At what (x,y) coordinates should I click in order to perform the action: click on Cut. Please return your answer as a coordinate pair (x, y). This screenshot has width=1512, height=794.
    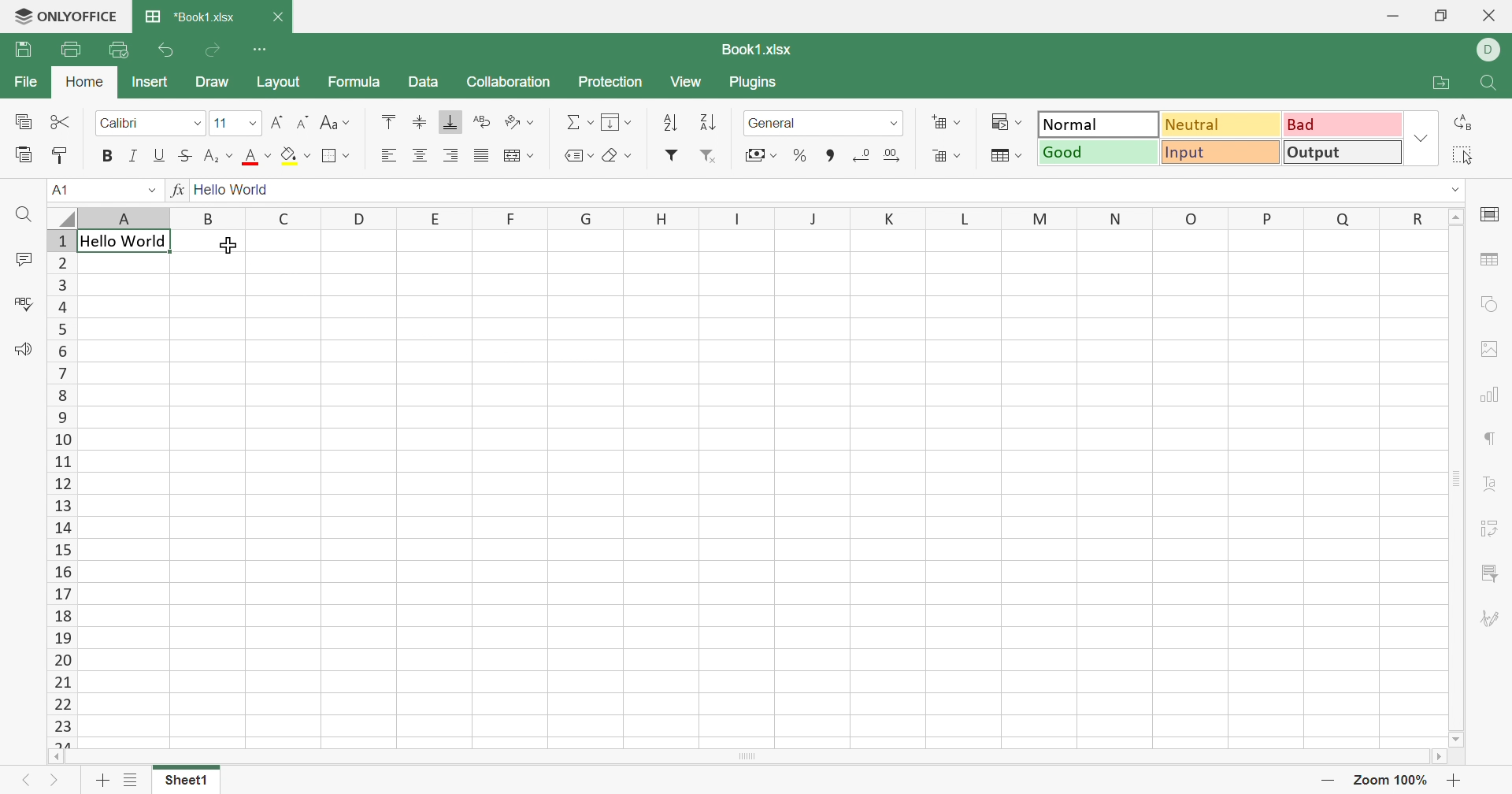
    Looking at the image, I should click on (60, 121).